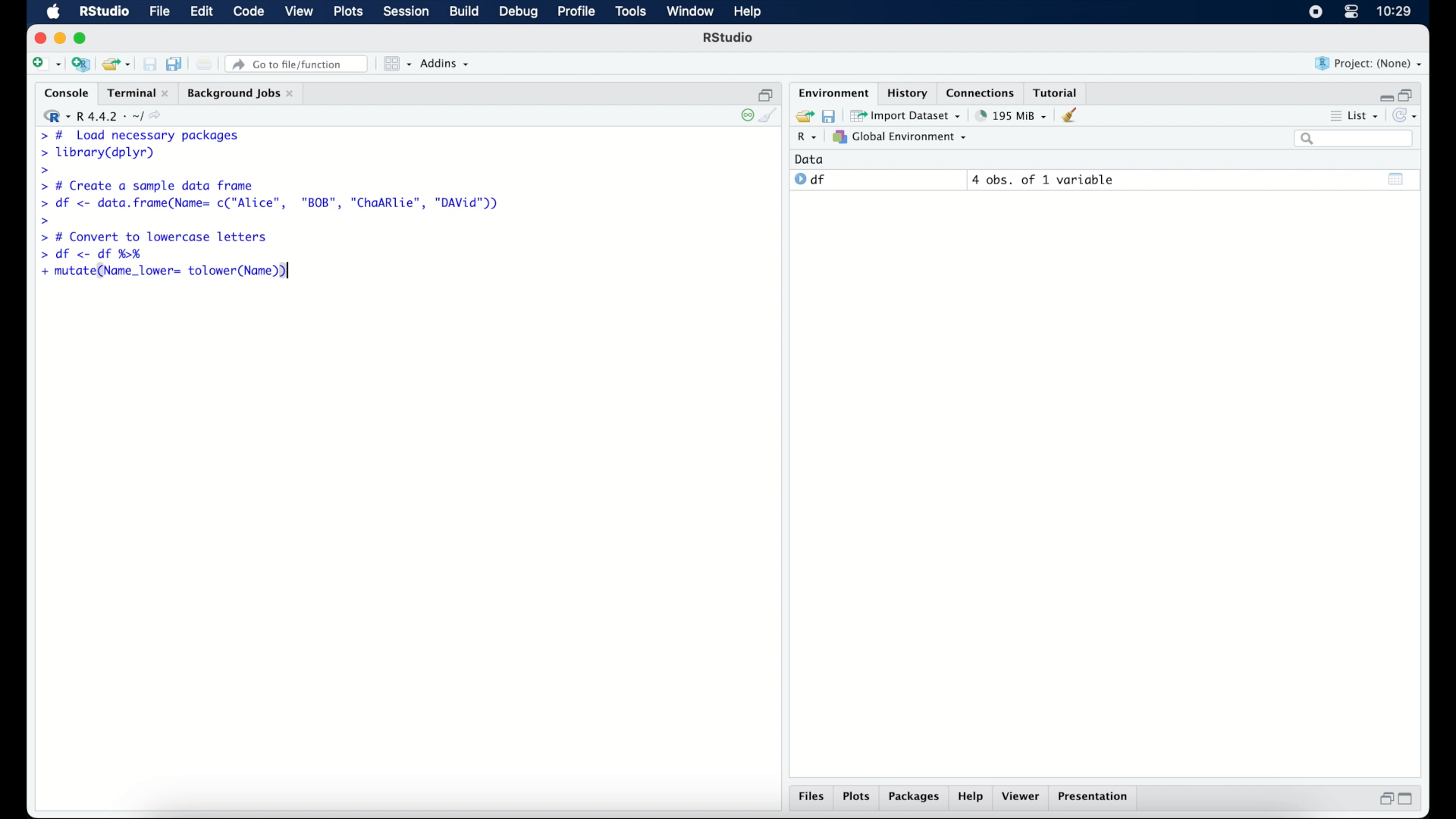 This screenshot has width=1456, height=819. I want to click on import dataset, so click(907, 115).